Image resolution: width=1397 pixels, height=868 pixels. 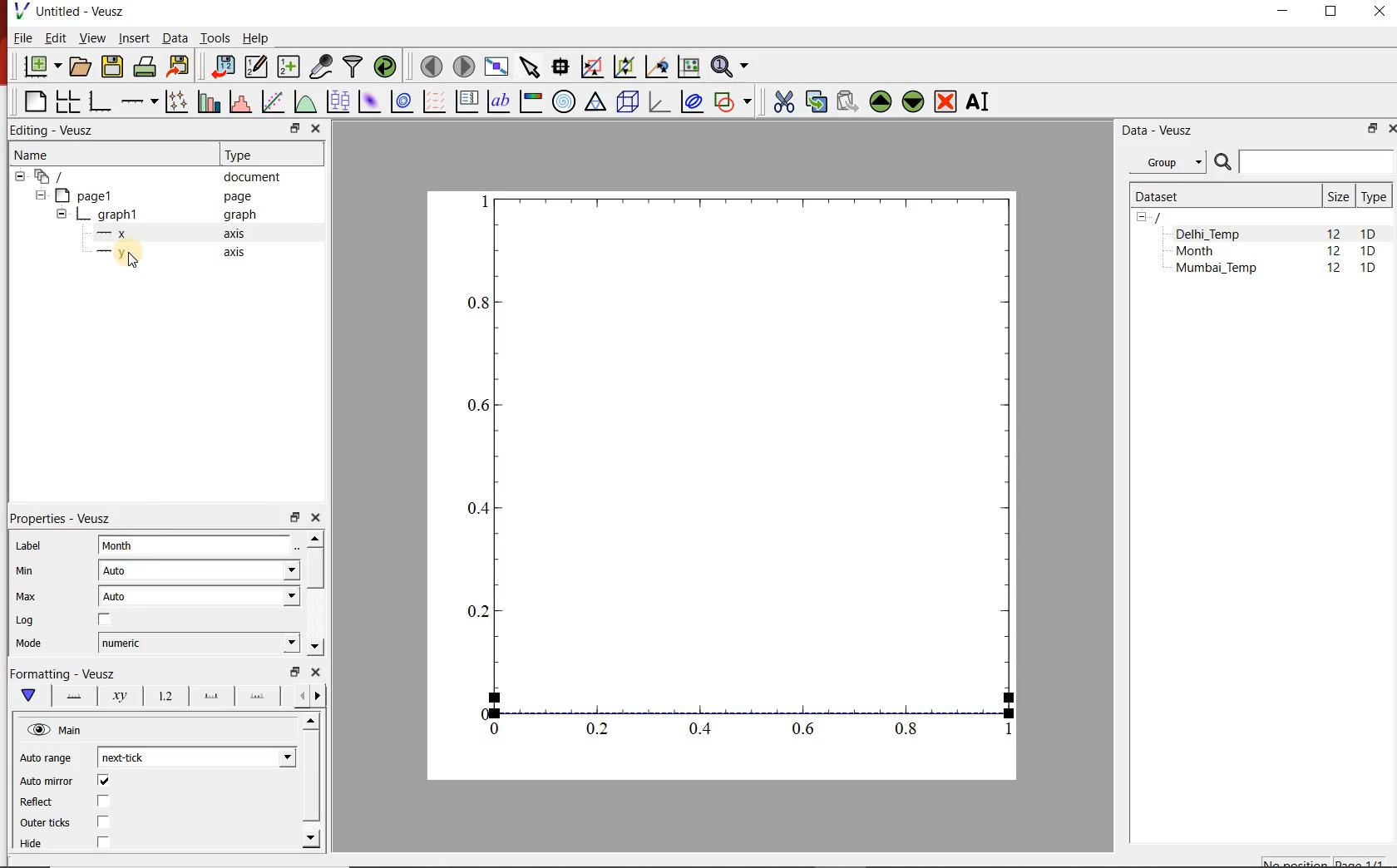 What do you see at coordinates (105, 620) in the screenshot?
I see `check/uncheck` at bounding box center [105, 620].